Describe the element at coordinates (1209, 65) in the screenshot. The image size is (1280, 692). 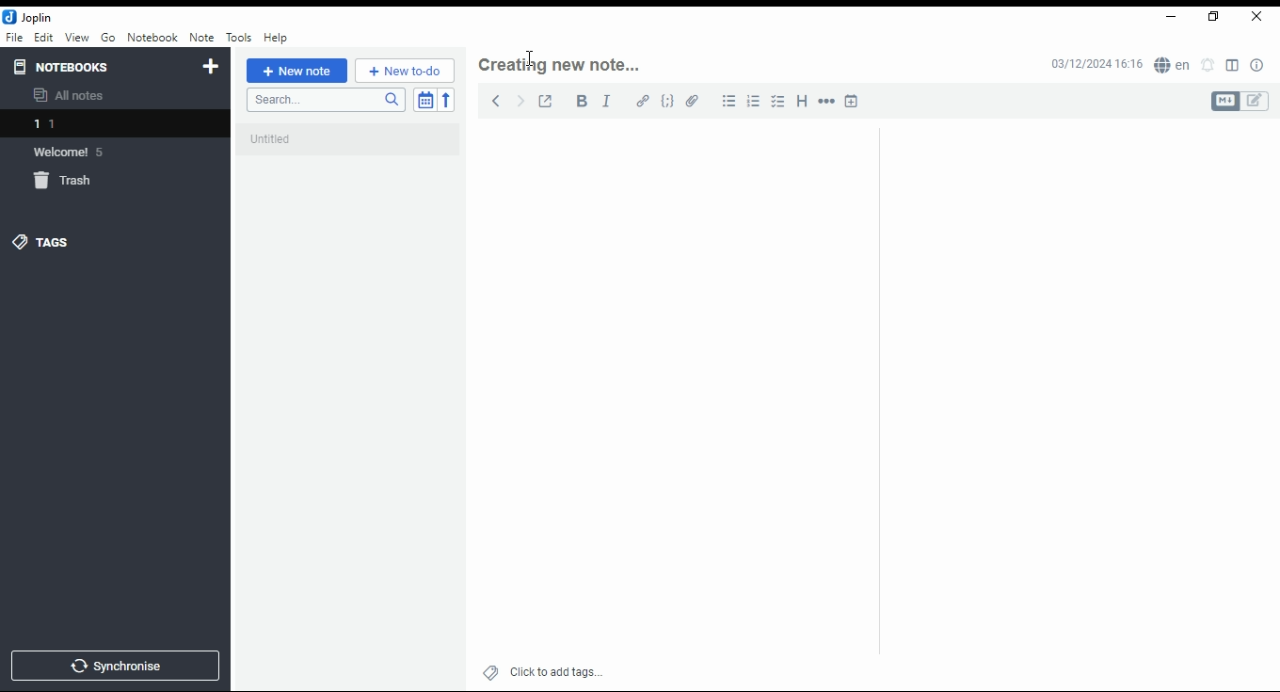
I see `set alarm` at that location.